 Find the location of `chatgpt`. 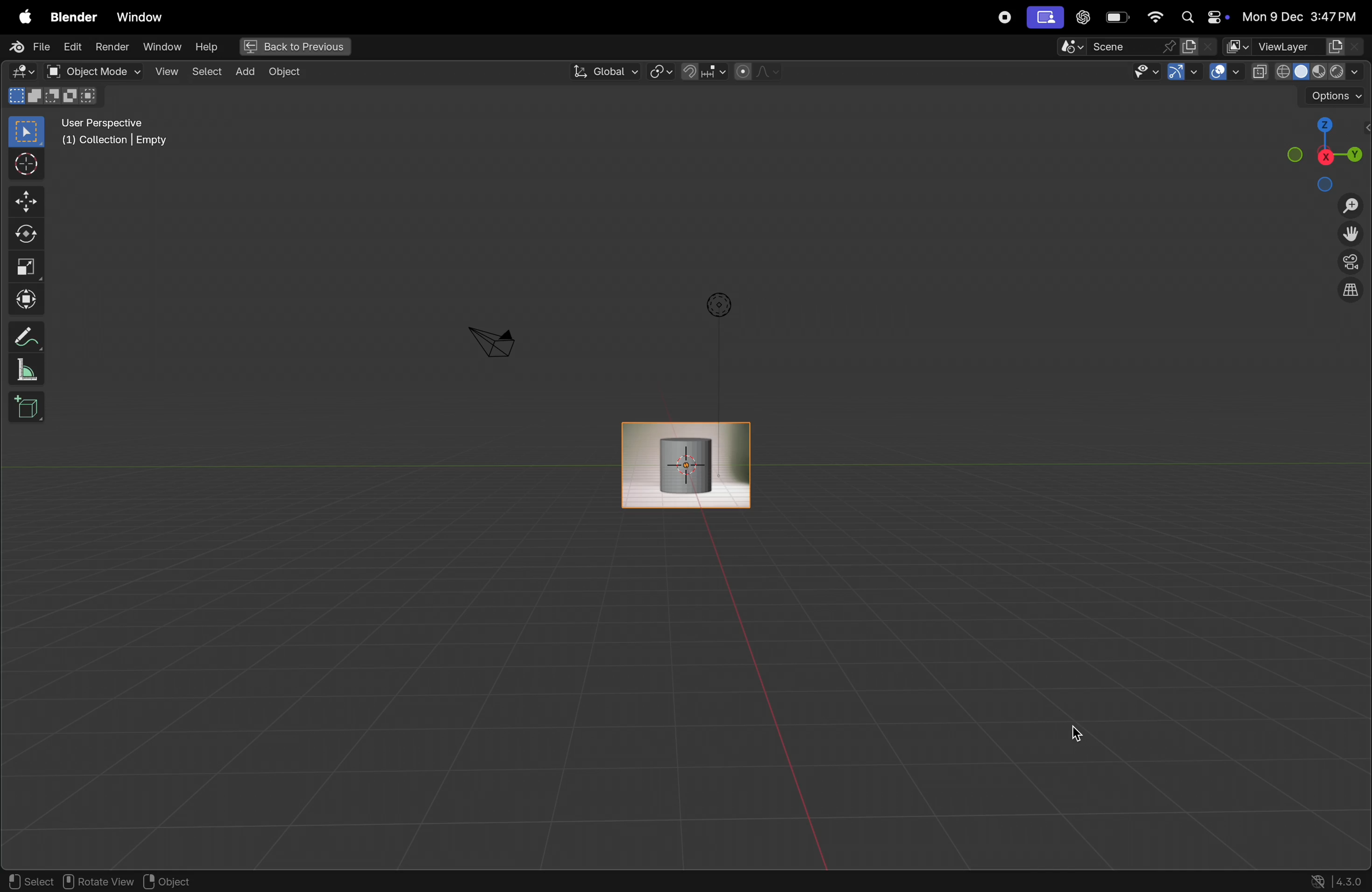

chatgpt is located at coordinates (1083, 18).